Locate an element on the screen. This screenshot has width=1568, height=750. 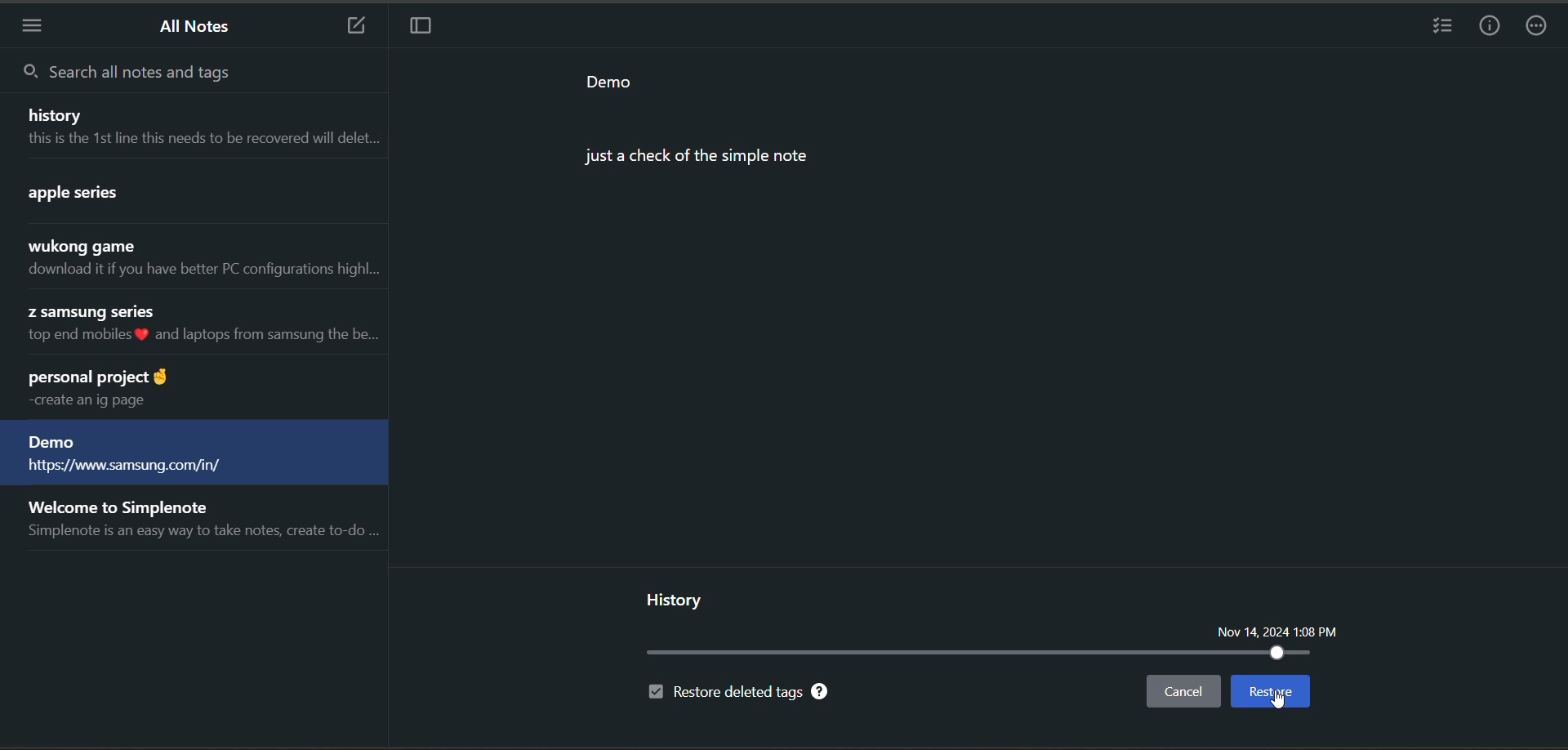
info is located at coordinates (1493, 25).